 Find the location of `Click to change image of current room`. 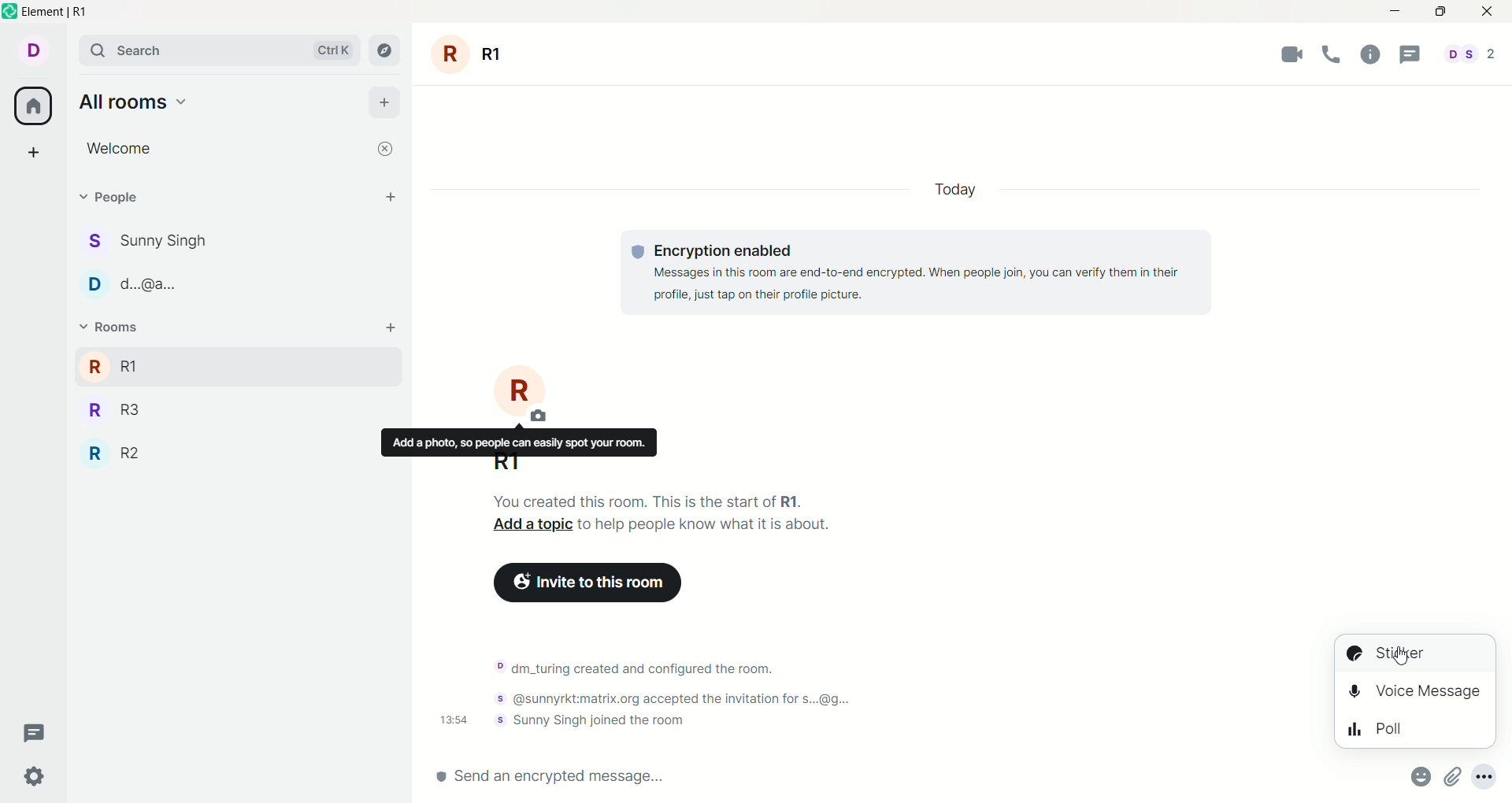

Click to change image of current room is located at coordinates (521, 393).